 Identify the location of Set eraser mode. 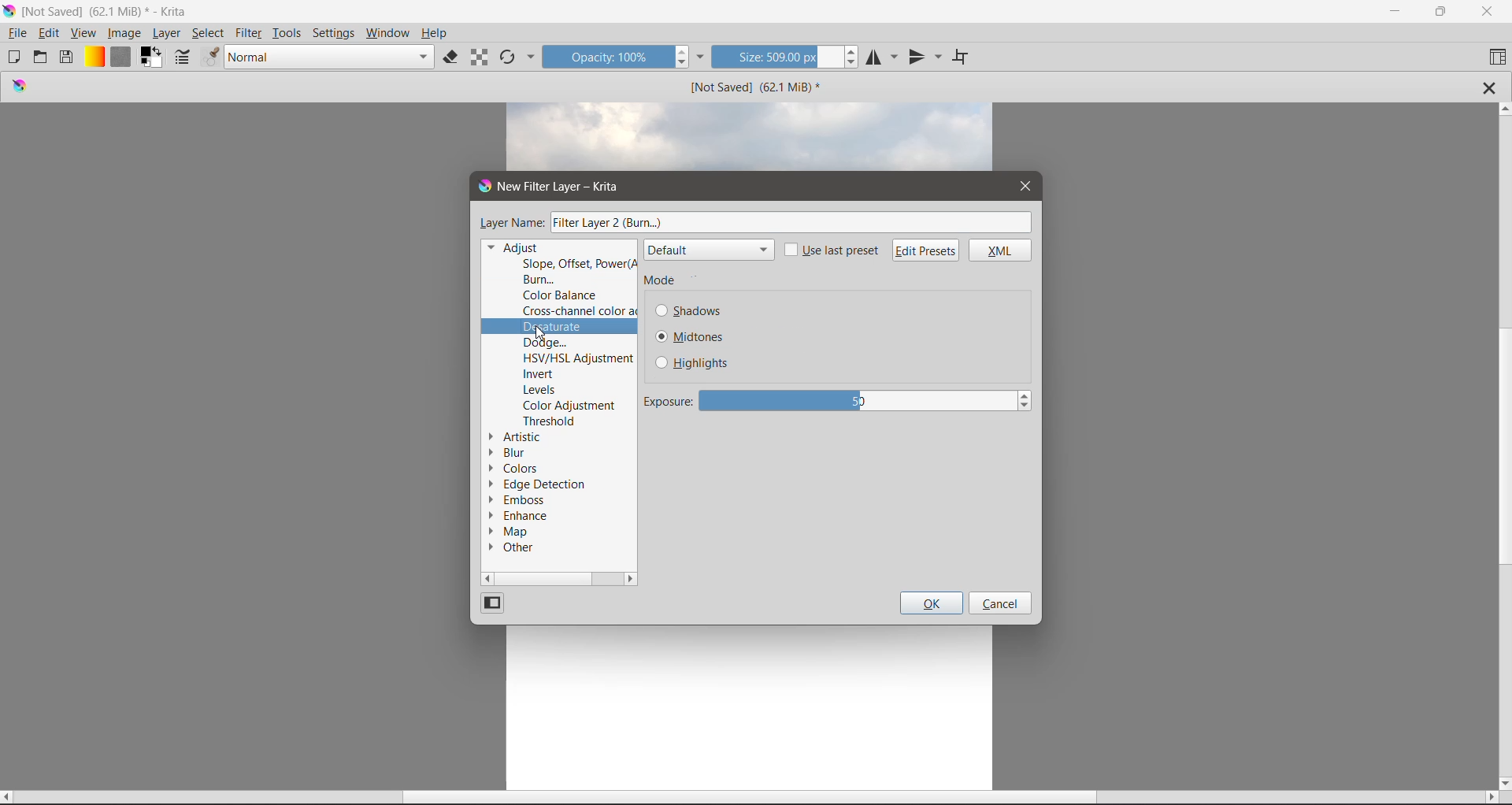
(450, 57).